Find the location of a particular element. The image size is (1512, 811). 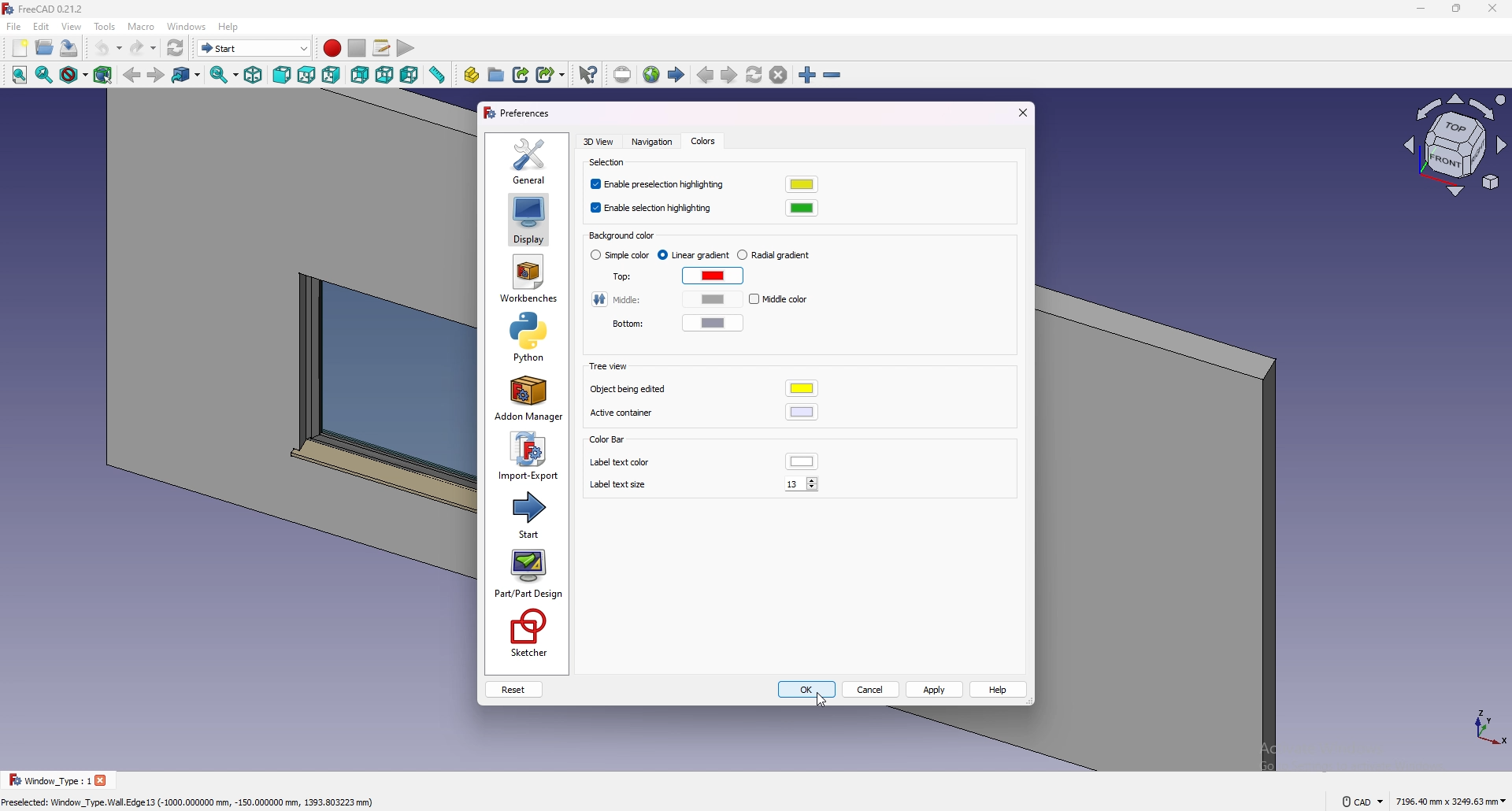

label text size is located at coordinates (621, 486).